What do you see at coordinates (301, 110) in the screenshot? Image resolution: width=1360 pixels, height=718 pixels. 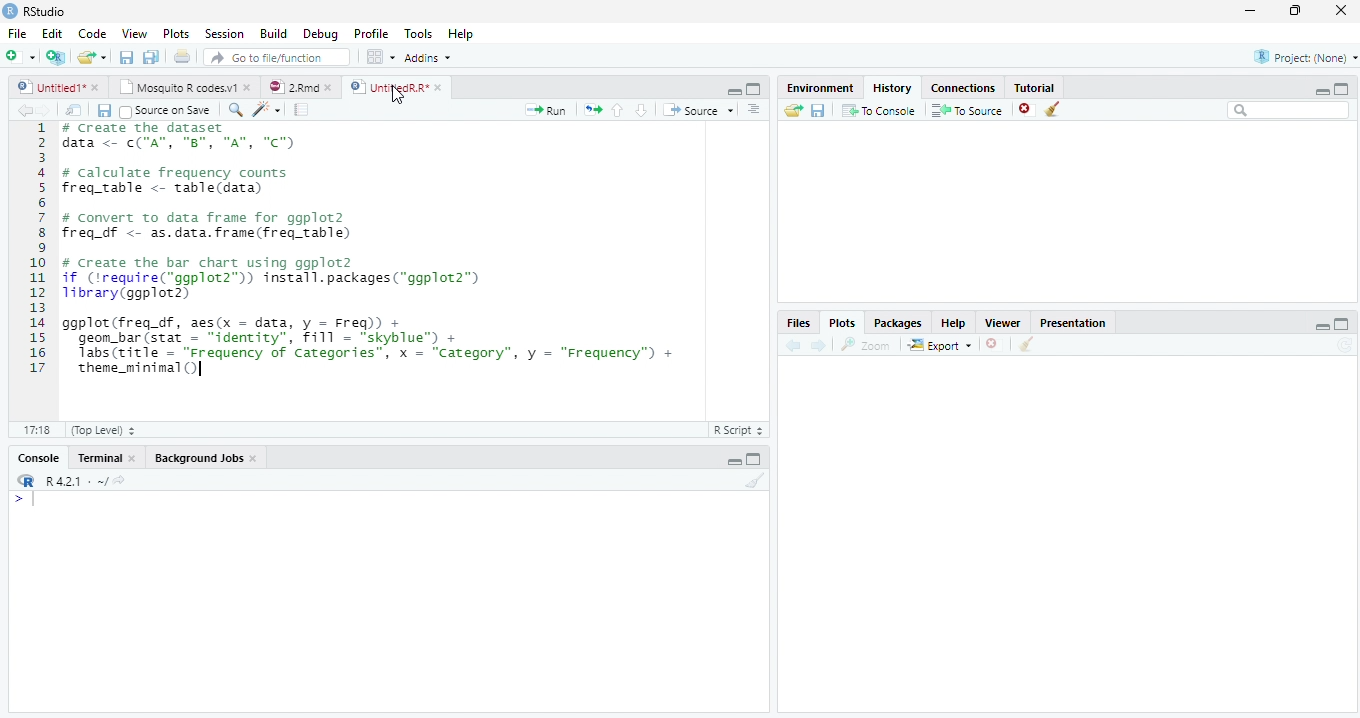 I see `Pages` at bounding box center [301, 110].